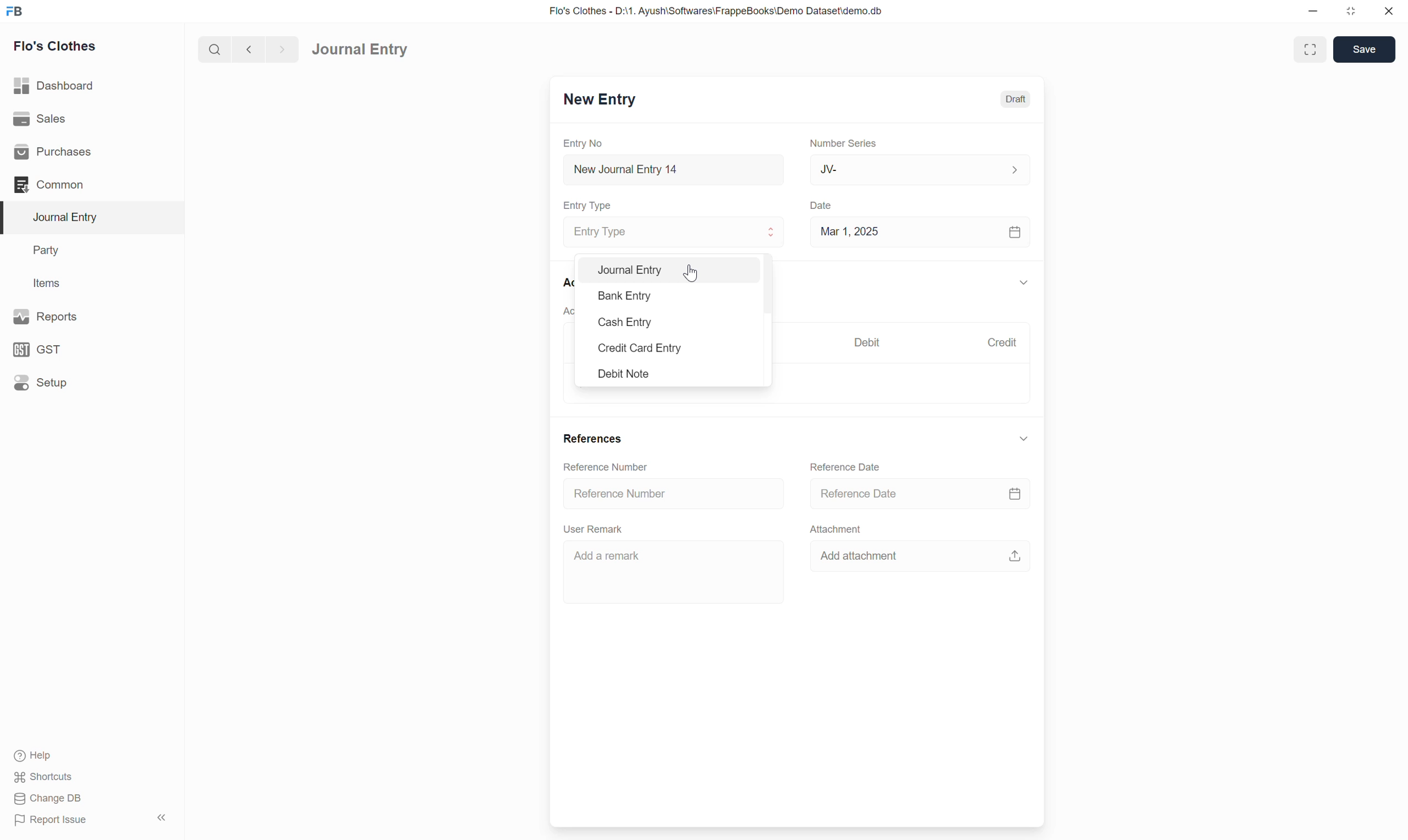 This screenshot has width=1408, height=840. I want to click on FB, so click(15, 11).